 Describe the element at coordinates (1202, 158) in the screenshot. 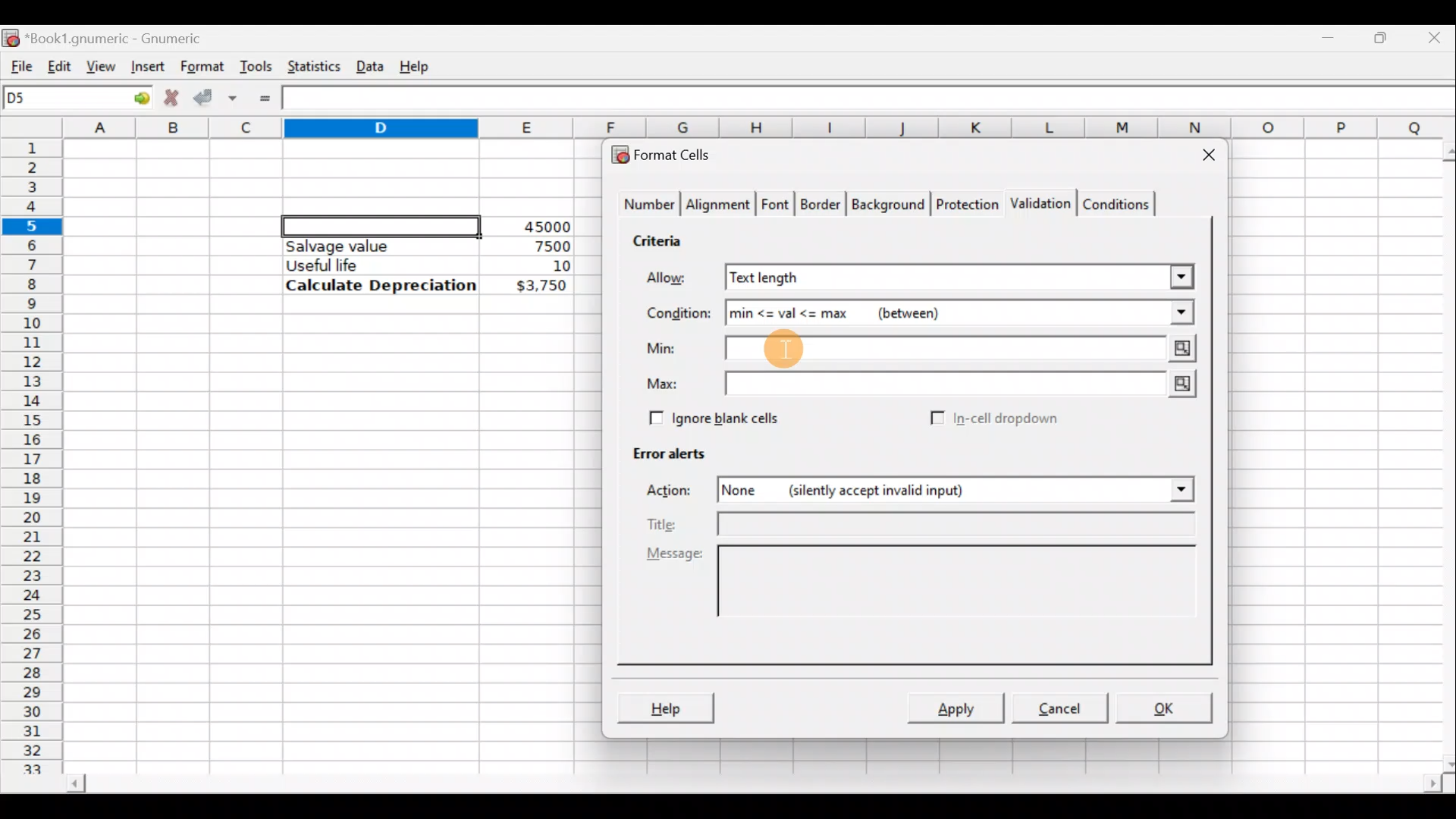

I see `Close` at that location.